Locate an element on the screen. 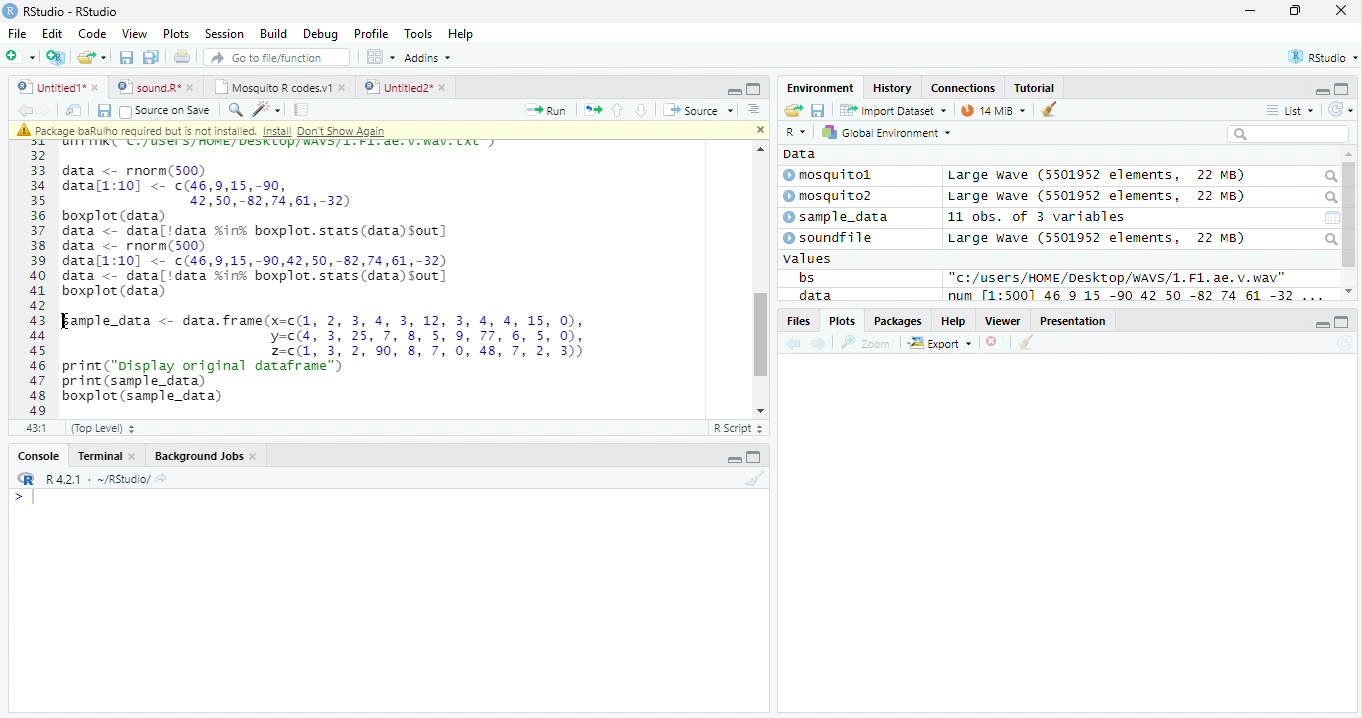  "c:/users/HOME /Desktop/WAVS/1.F1. ae. v.wav" is located at coordinates (1118, 277).